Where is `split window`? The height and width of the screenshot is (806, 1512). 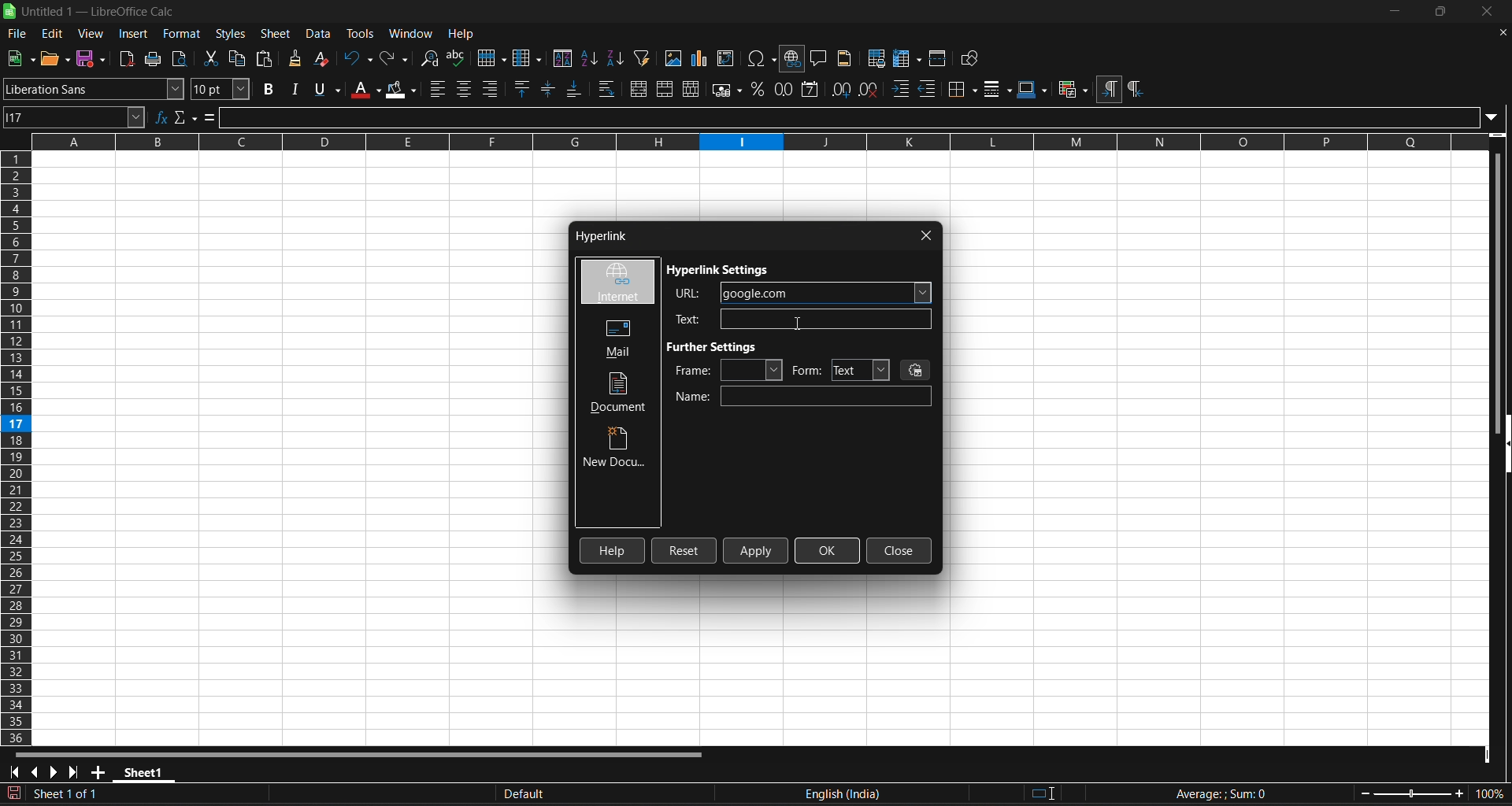
split window is located at coordinates (939, 57).